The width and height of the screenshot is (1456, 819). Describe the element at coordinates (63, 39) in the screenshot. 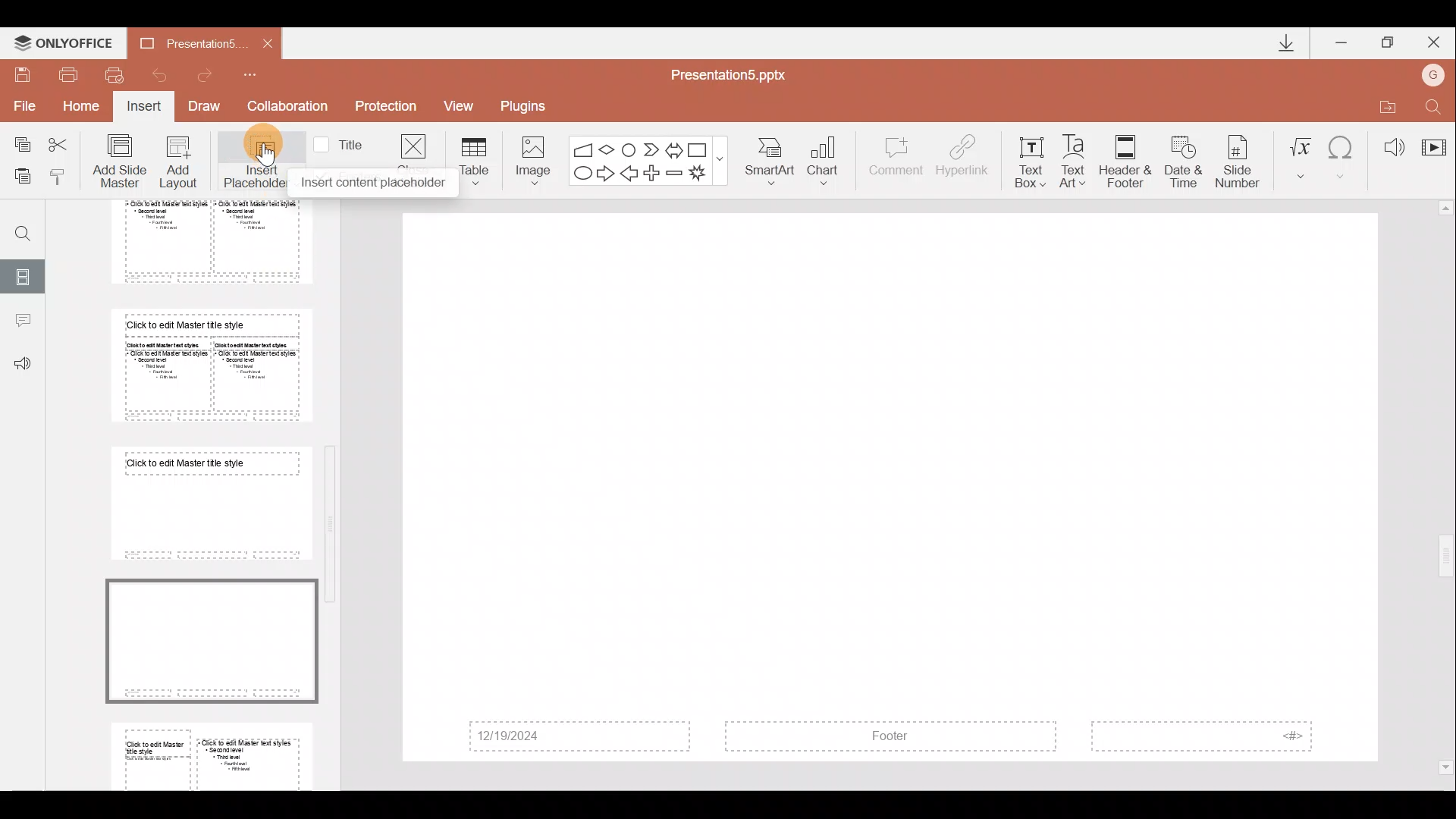

I see `ONLYOFFICE` at that location.